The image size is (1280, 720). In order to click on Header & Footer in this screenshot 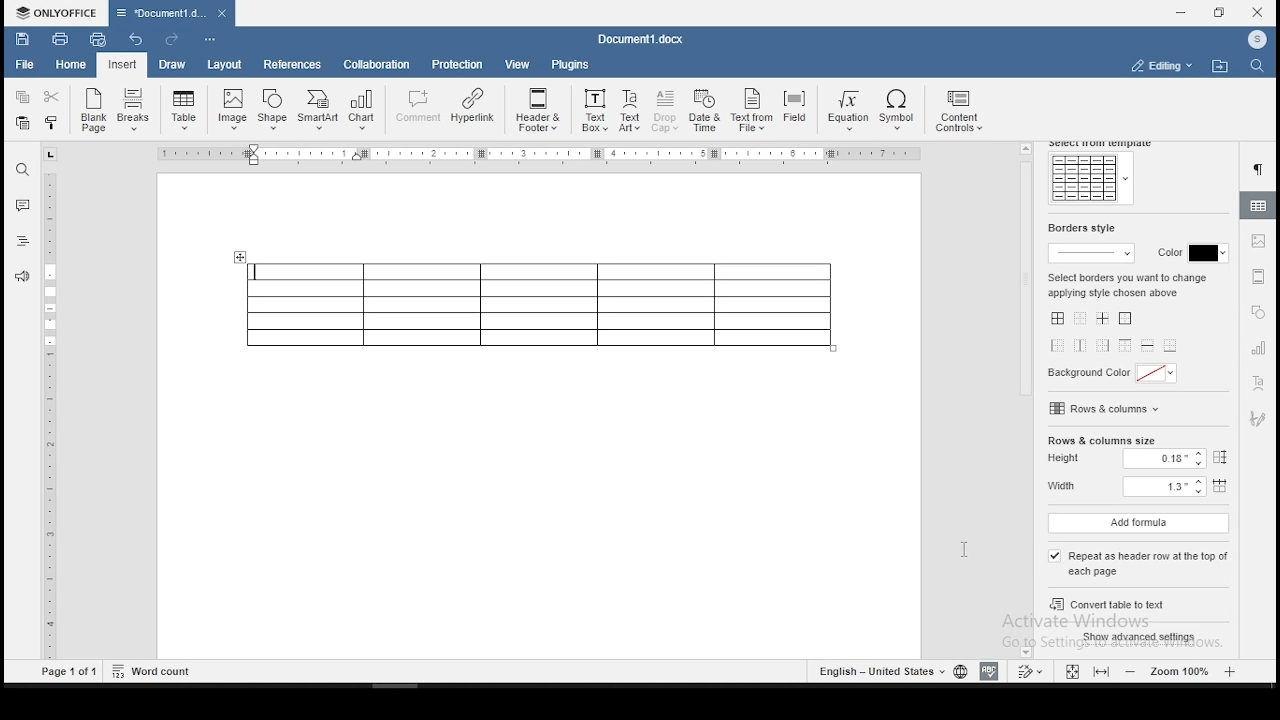, I will do `click(537, 110)`.